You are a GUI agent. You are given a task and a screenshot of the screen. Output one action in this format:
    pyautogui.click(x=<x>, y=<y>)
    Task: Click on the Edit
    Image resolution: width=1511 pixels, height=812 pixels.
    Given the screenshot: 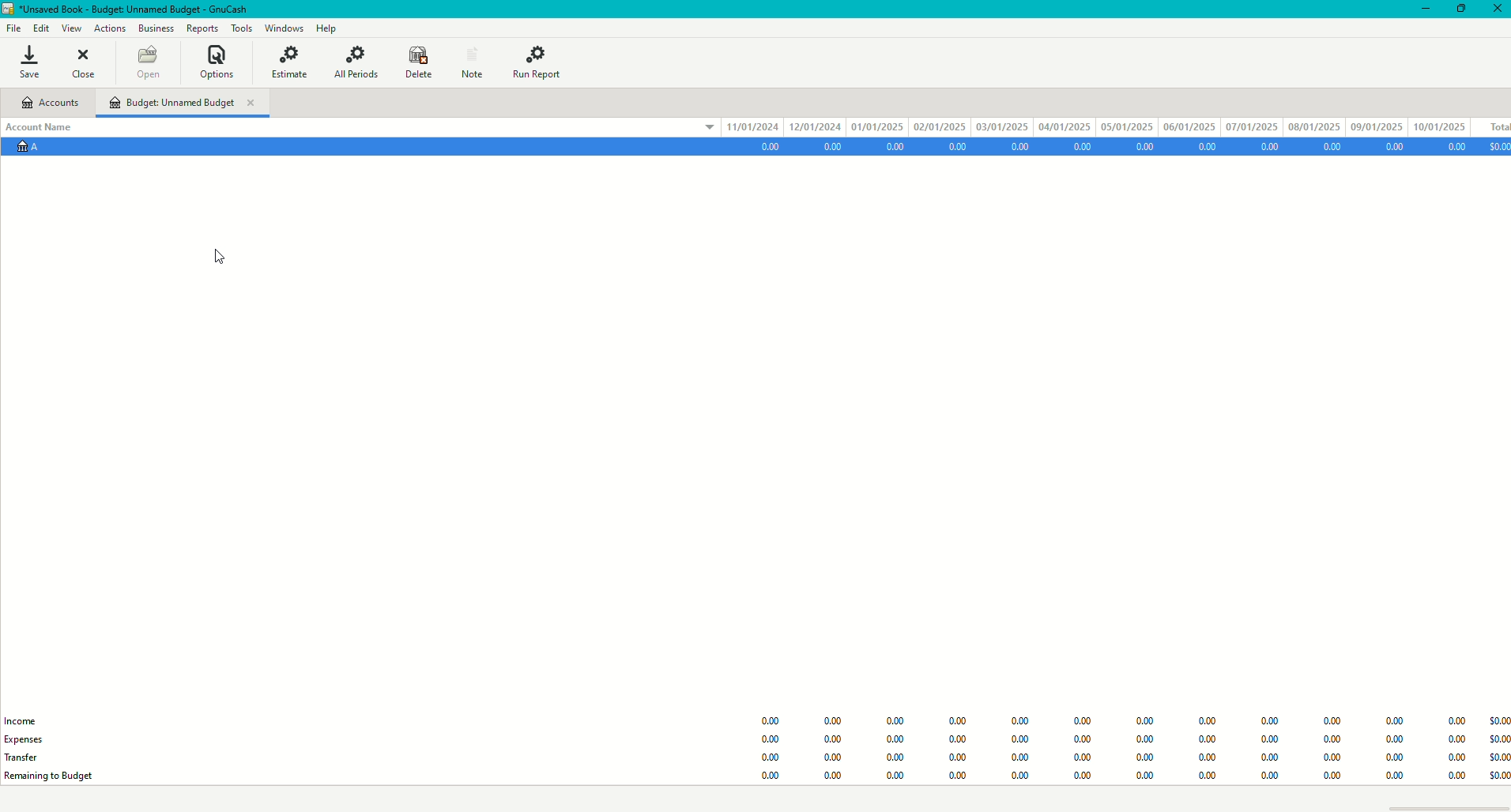 What is the action you would take?
    pyautogui.click(x=41, y=26)
    